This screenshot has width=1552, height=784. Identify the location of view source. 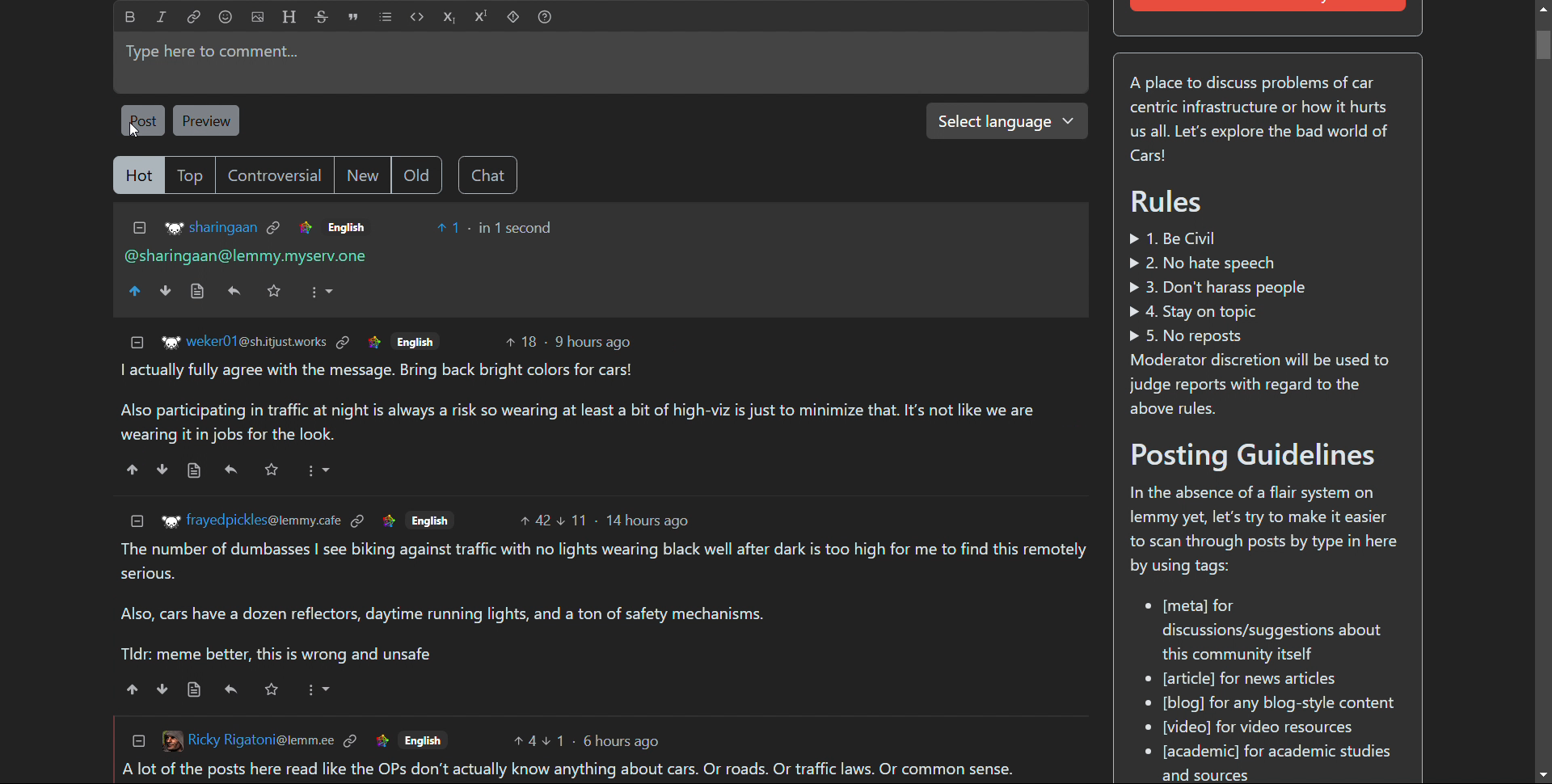
(194, 688).